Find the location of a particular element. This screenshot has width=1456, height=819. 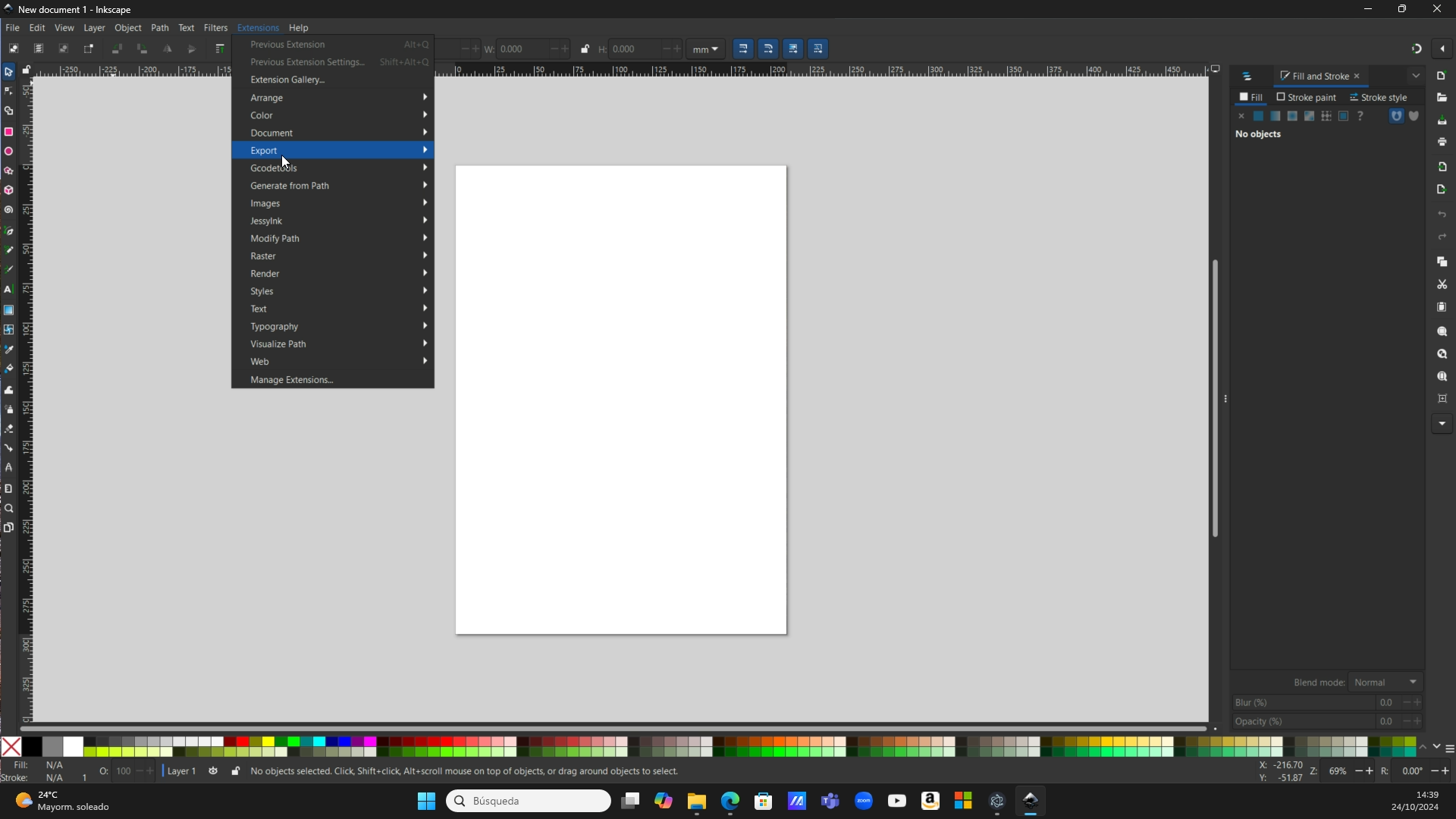

Stroke Style is located at coordinates (1381, 96).